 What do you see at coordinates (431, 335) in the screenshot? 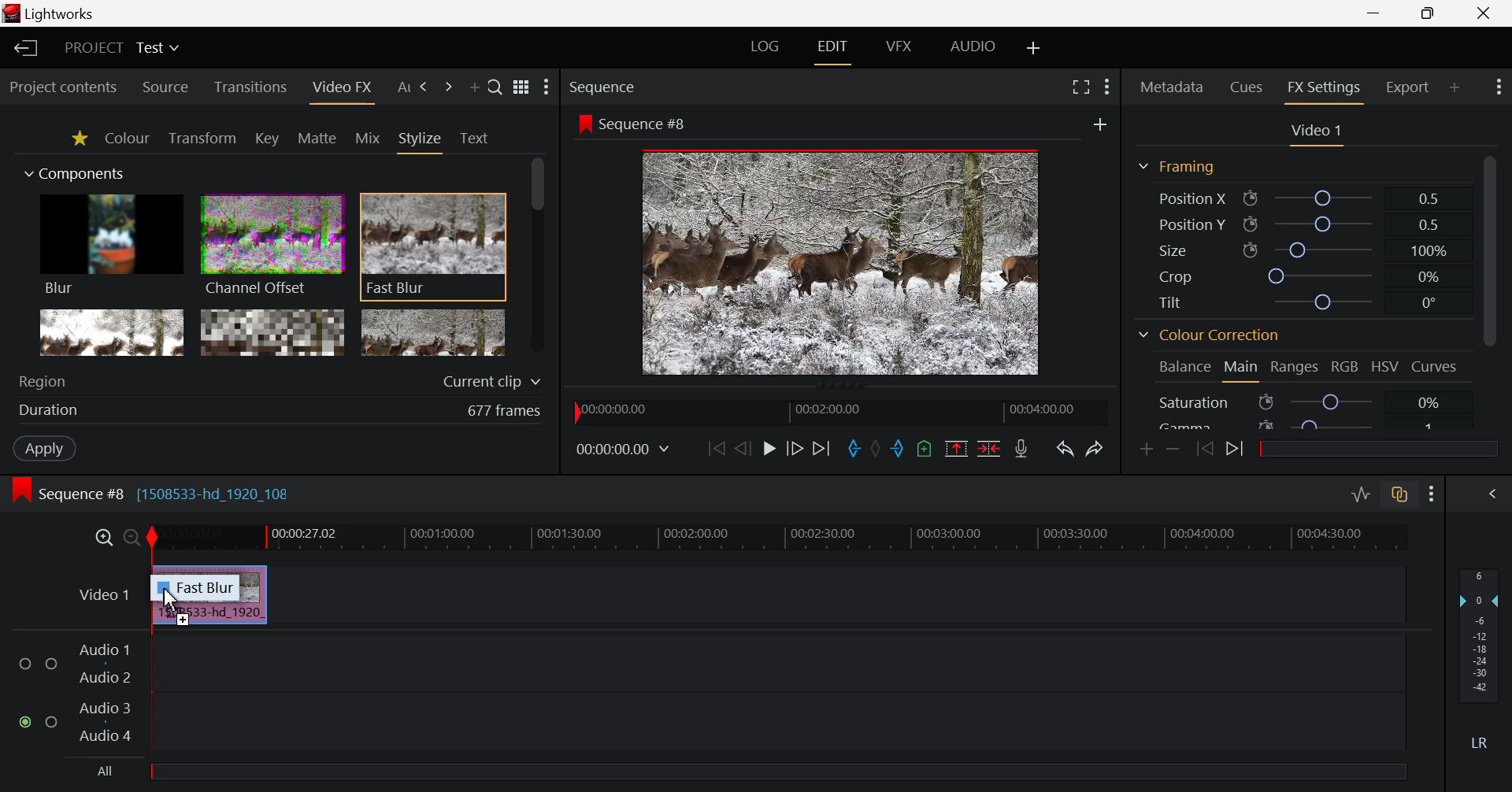
I see `Posterize` at bounding box center [431, 335].